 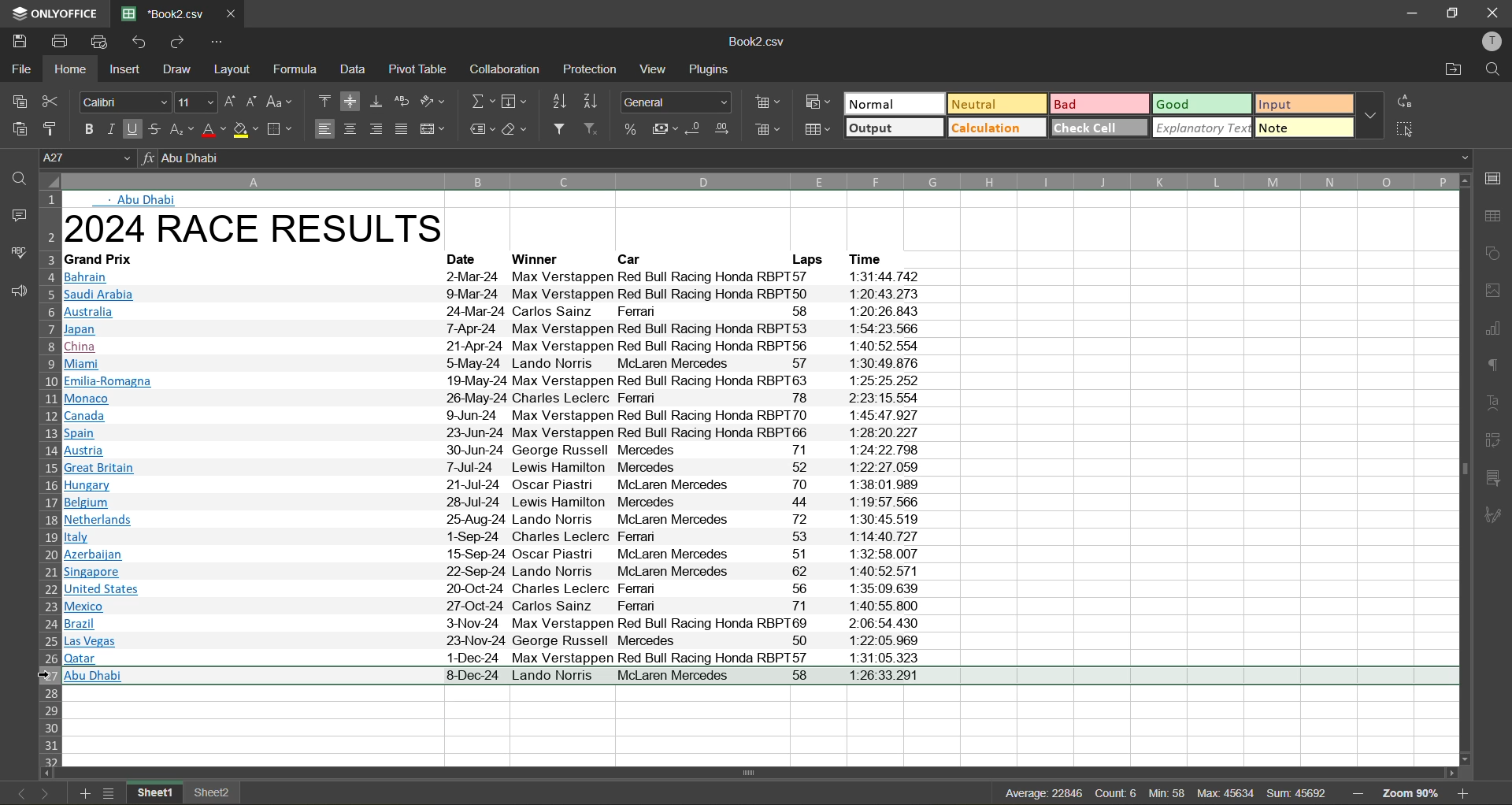 What do you see at coordinates (161, 13) in the screenshot?
I see `filename` at bounding box center [161, 13].